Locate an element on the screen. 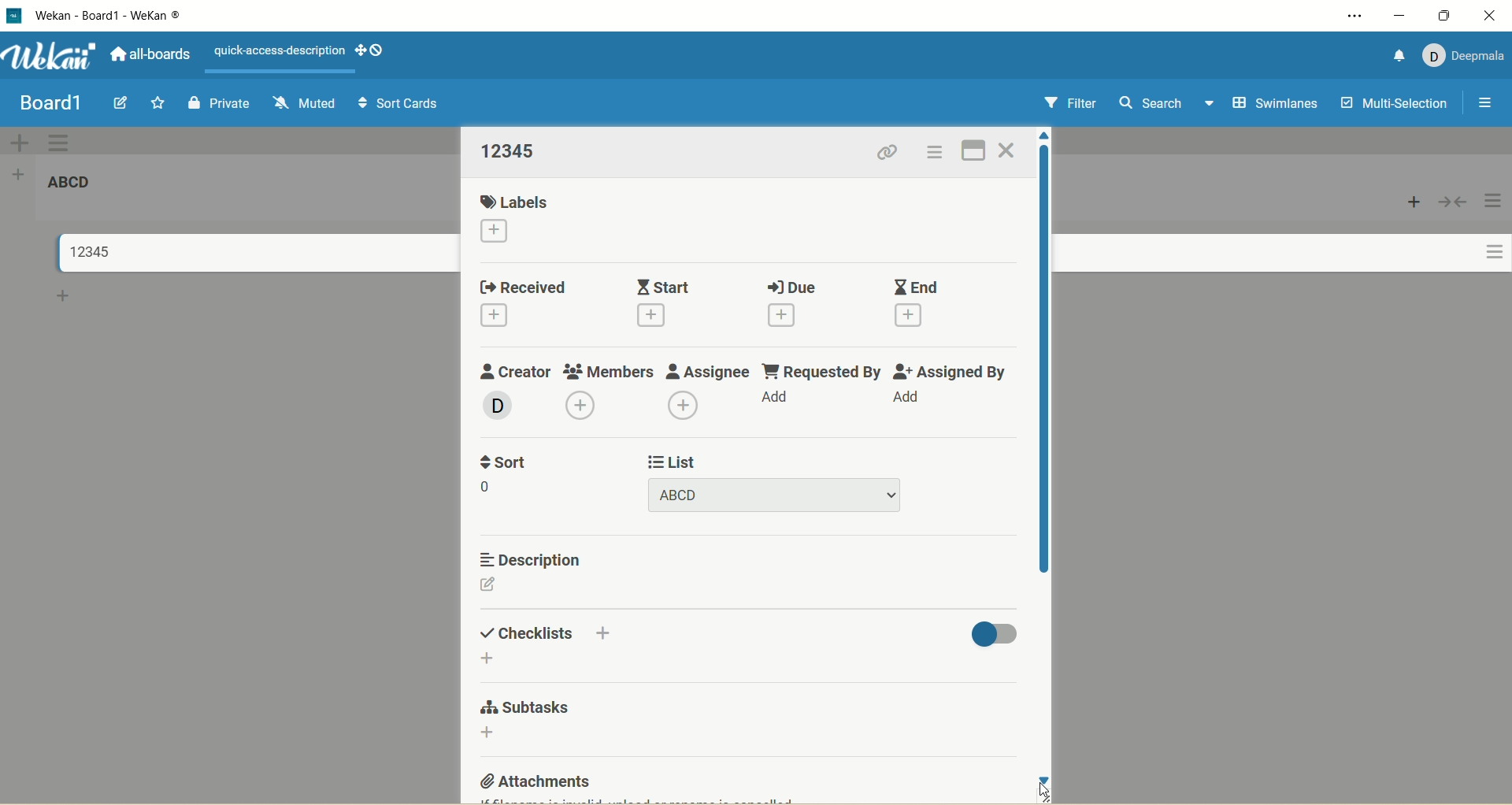  due is located at coordinates (791, 286).